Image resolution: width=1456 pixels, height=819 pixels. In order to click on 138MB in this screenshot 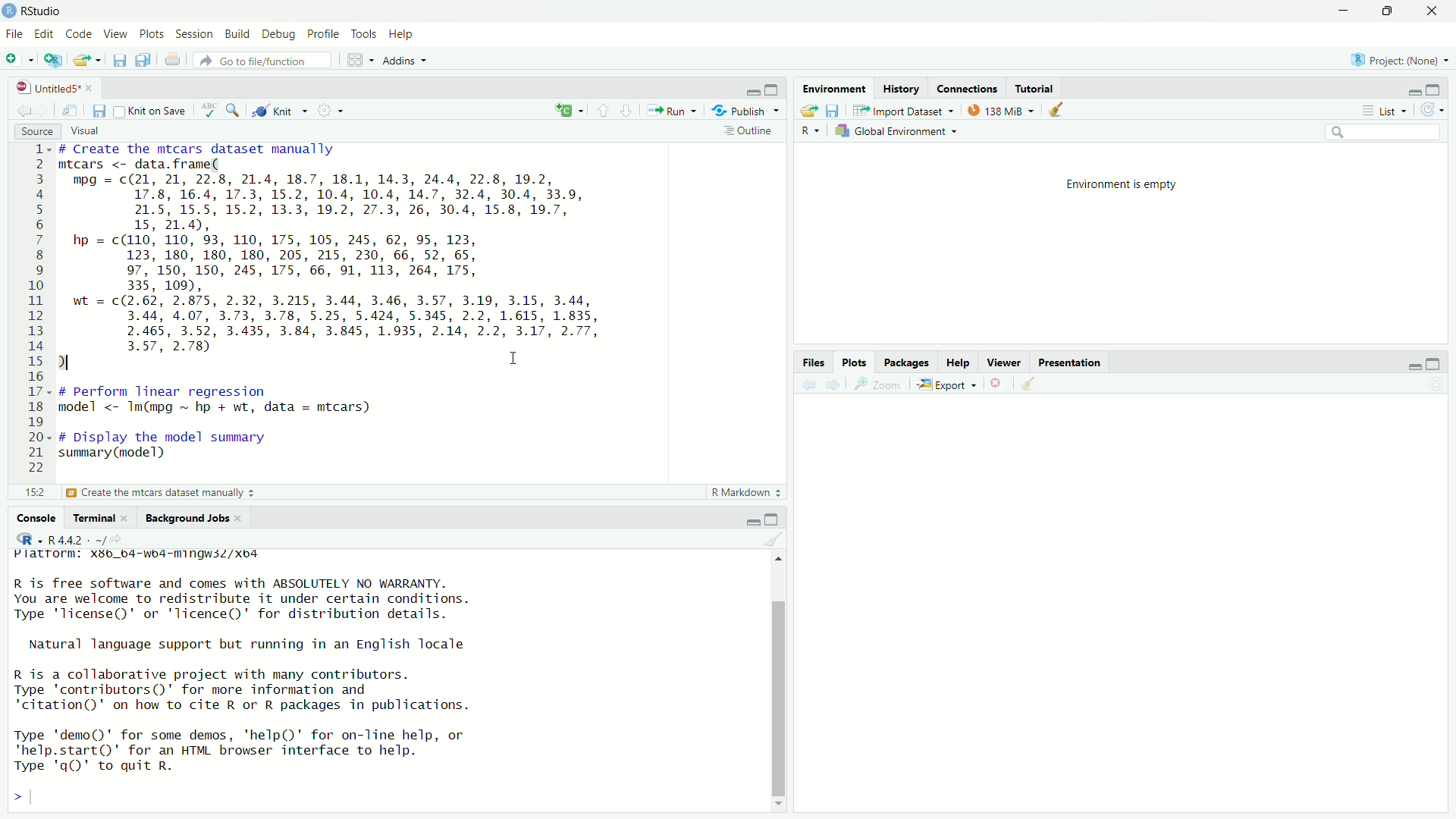, I will do `click(1004, 112)`.